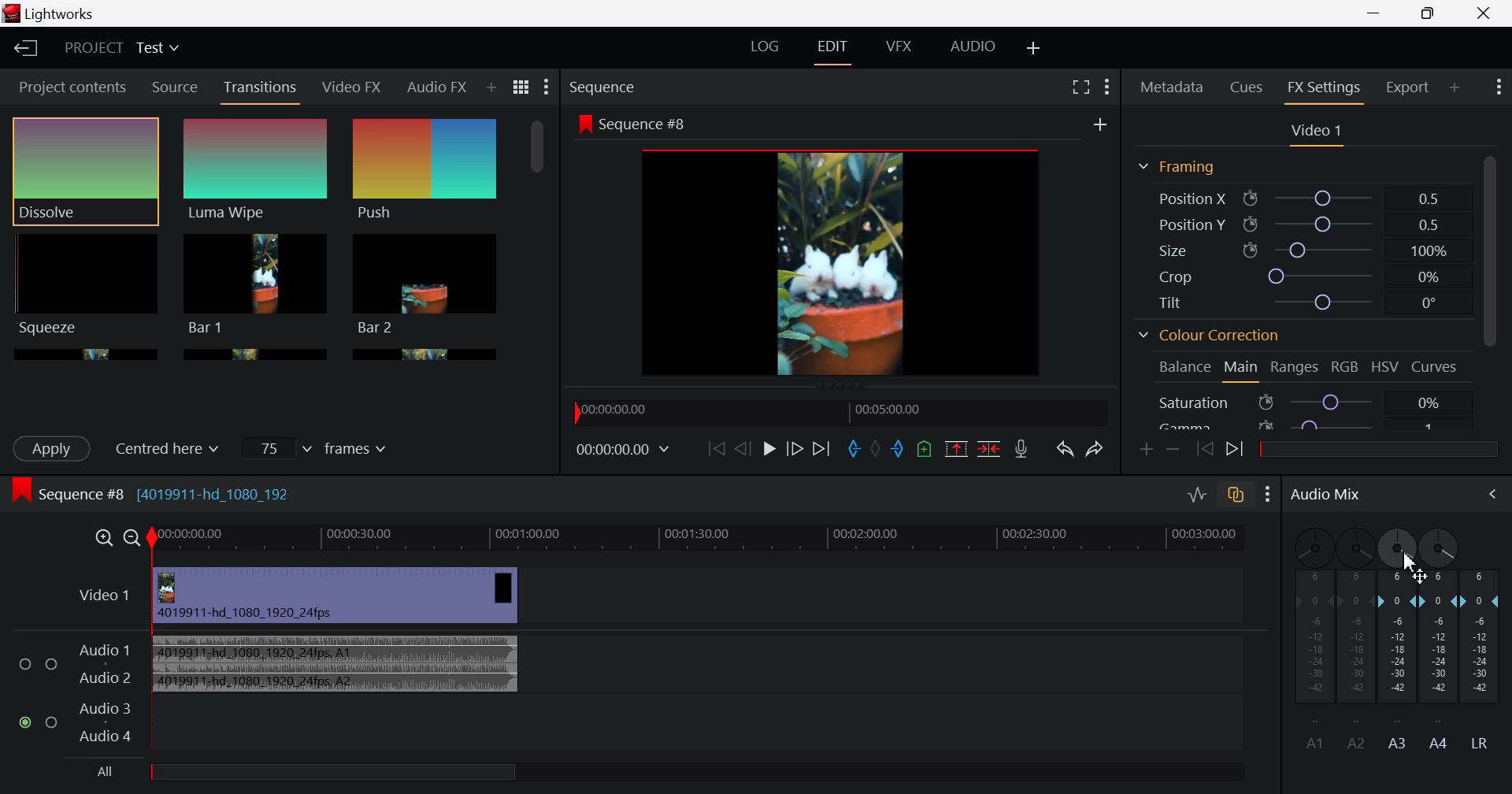  What do you see at coordinates (85, 172) in the screenshot?
I see `Dissolve` at bounding box center [85, 172].